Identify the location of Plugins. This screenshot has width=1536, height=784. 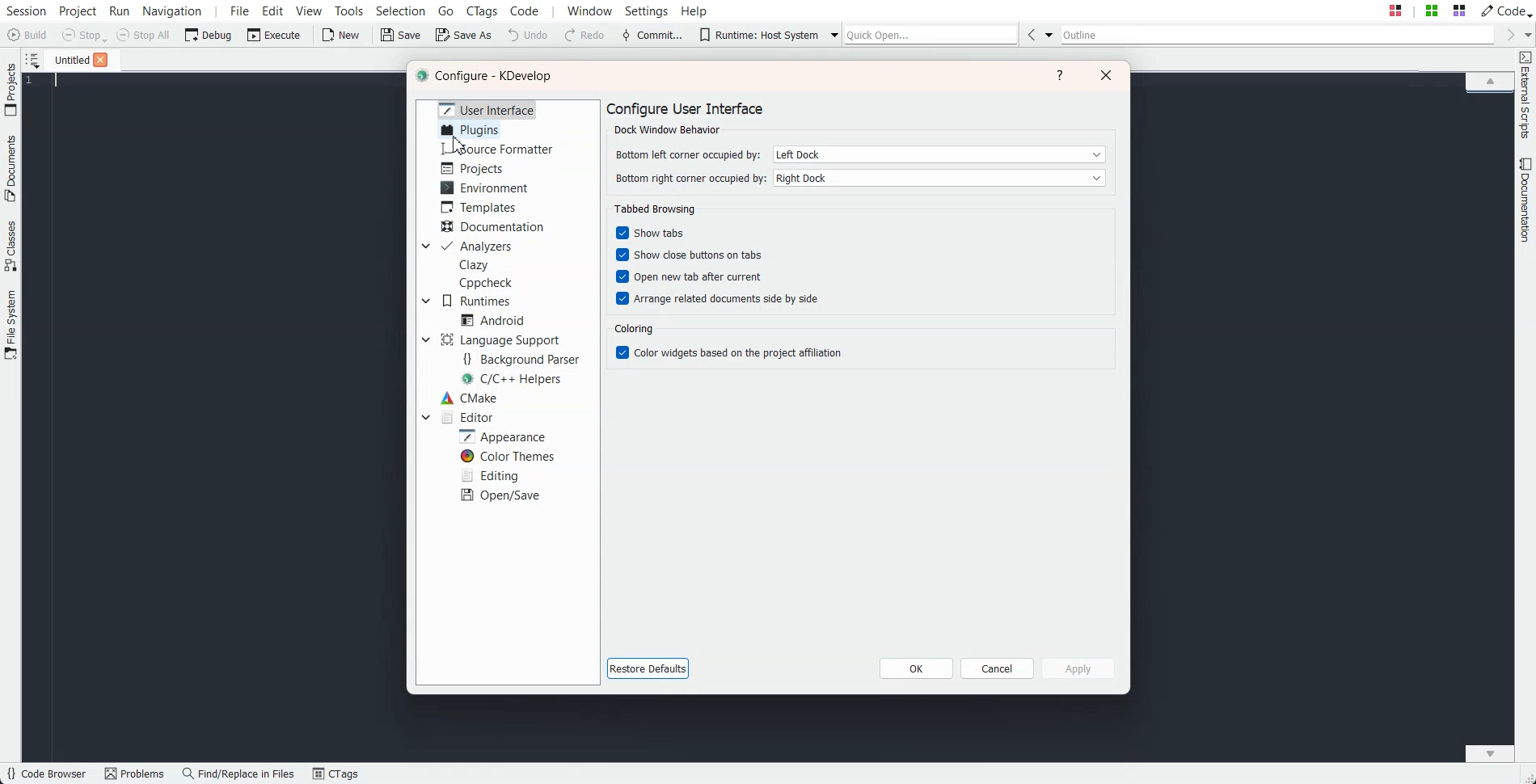
(467, 129).